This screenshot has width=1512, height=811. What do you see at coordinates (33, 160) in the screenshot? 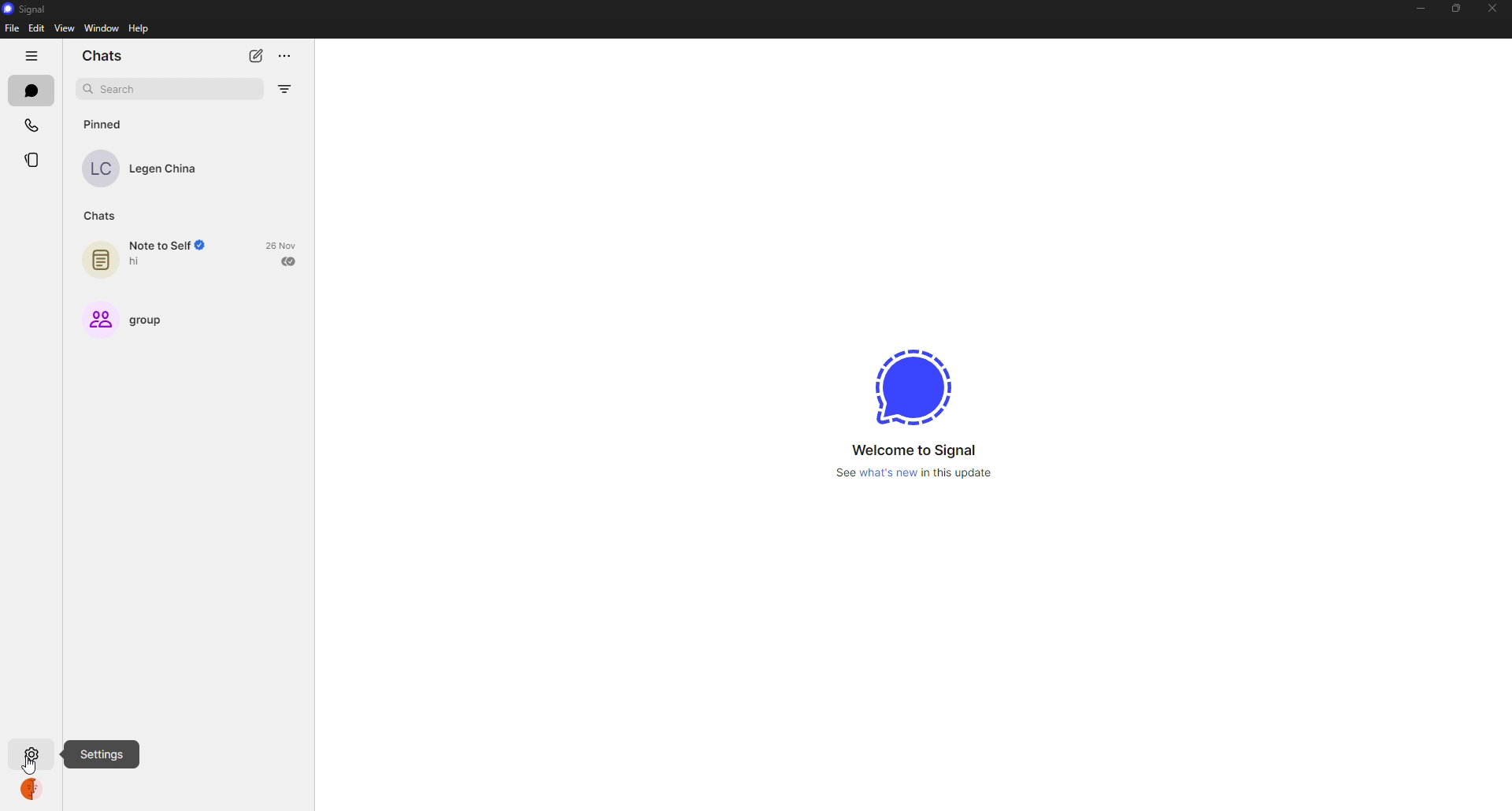
I see `stories` at bounding box center [33, 160].